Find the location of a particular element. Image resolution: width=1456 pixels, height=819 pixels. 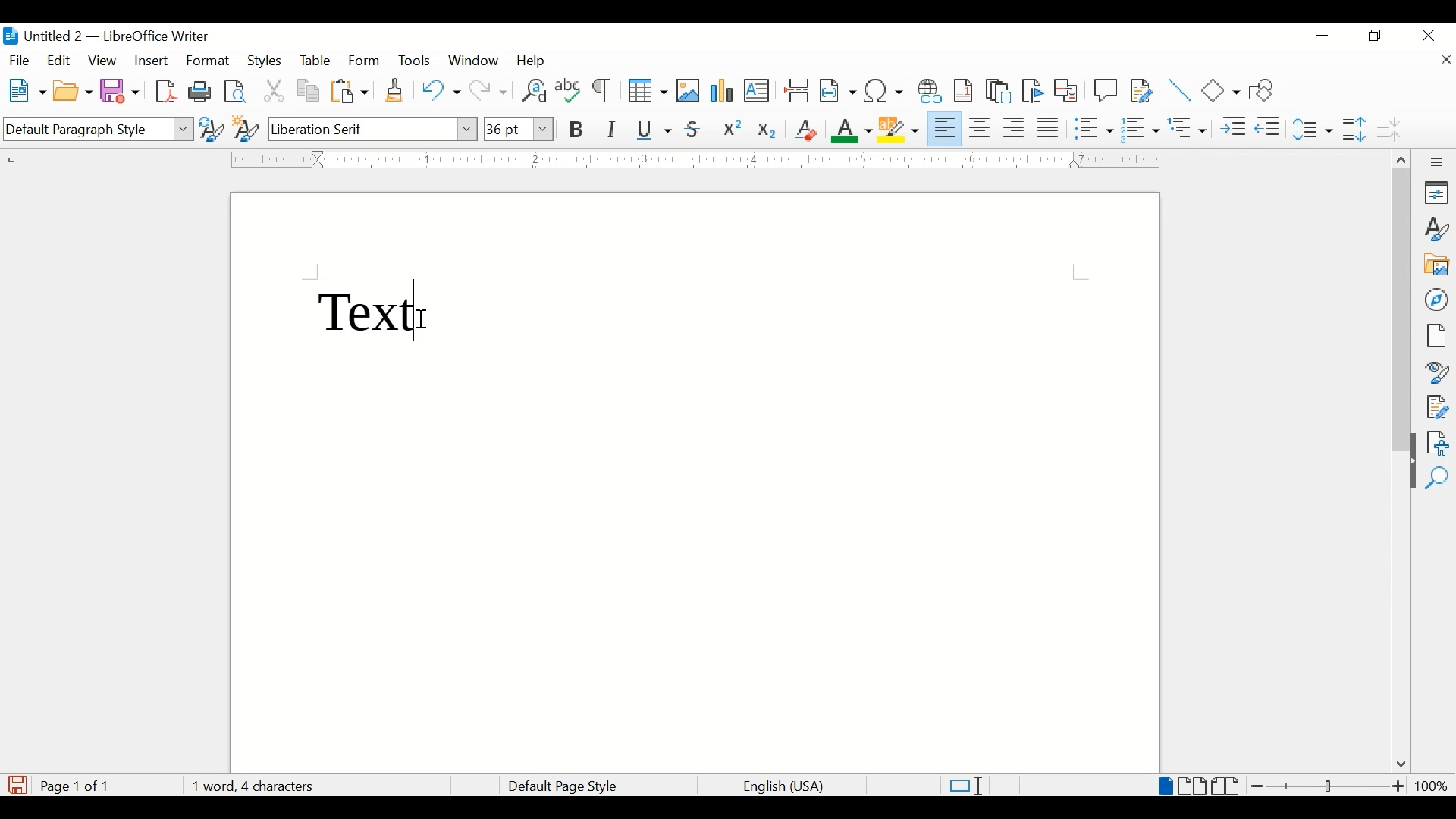

insert table is located at coordinates (648, 90).